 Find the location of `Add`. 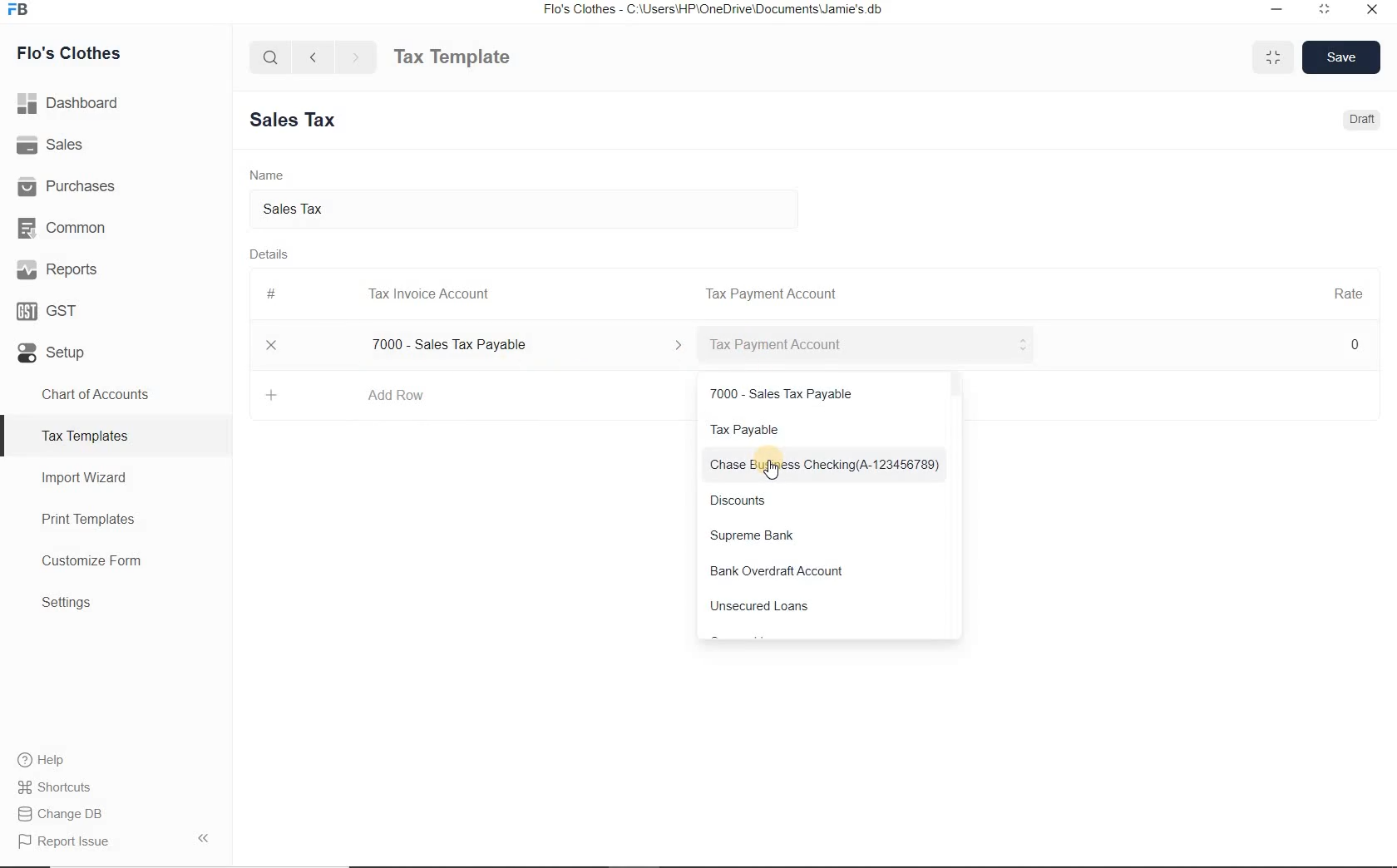

Add is located at coordinates (273, 395).